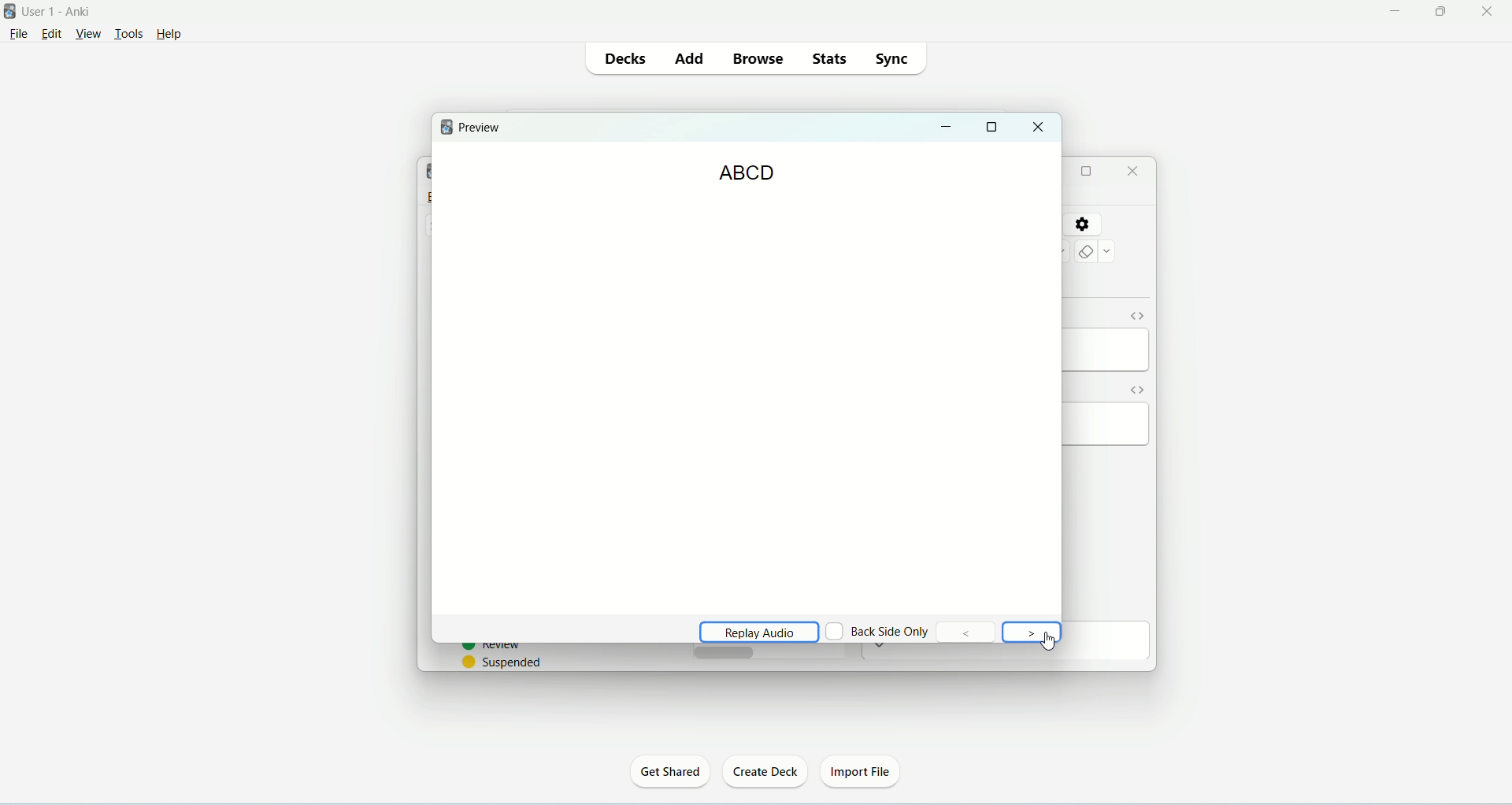  Describe the element at coordinates (754, 629) in the screenshot. I see `replay audio` at that location.